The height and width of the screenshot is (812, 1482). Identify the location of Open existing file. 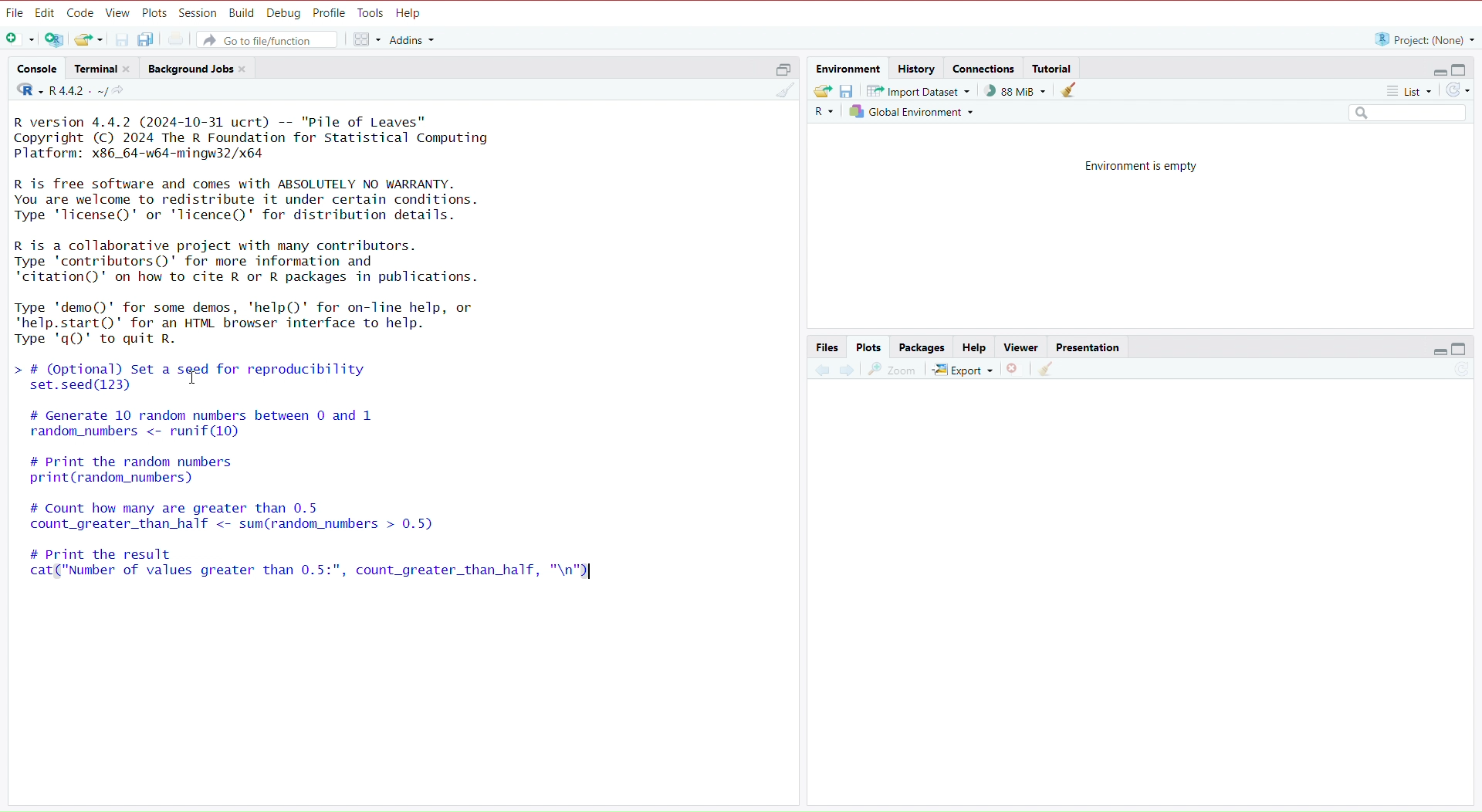
(88, 39).